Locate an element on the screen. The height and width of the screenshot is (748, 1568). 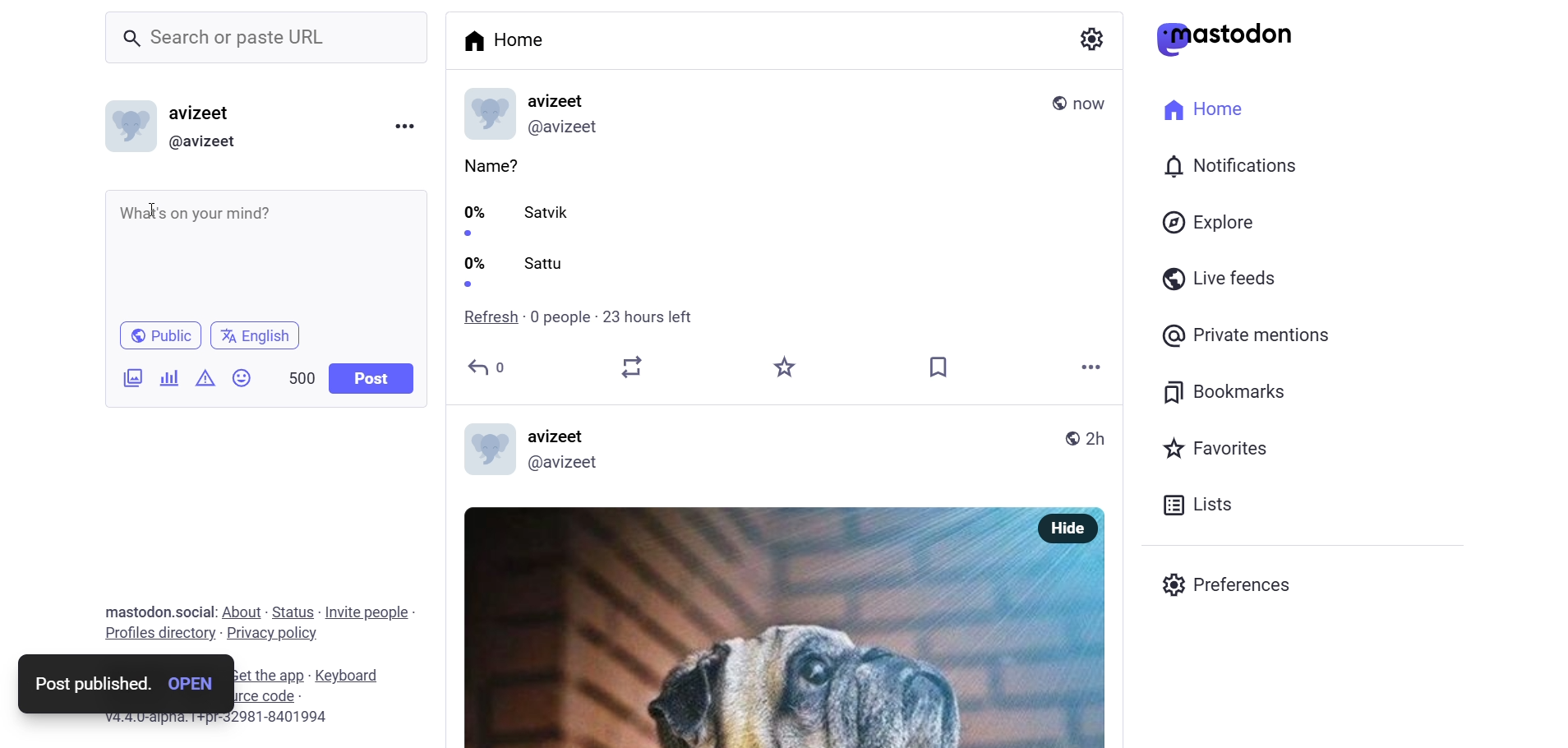
favorite is located at coordinates (781, 367).